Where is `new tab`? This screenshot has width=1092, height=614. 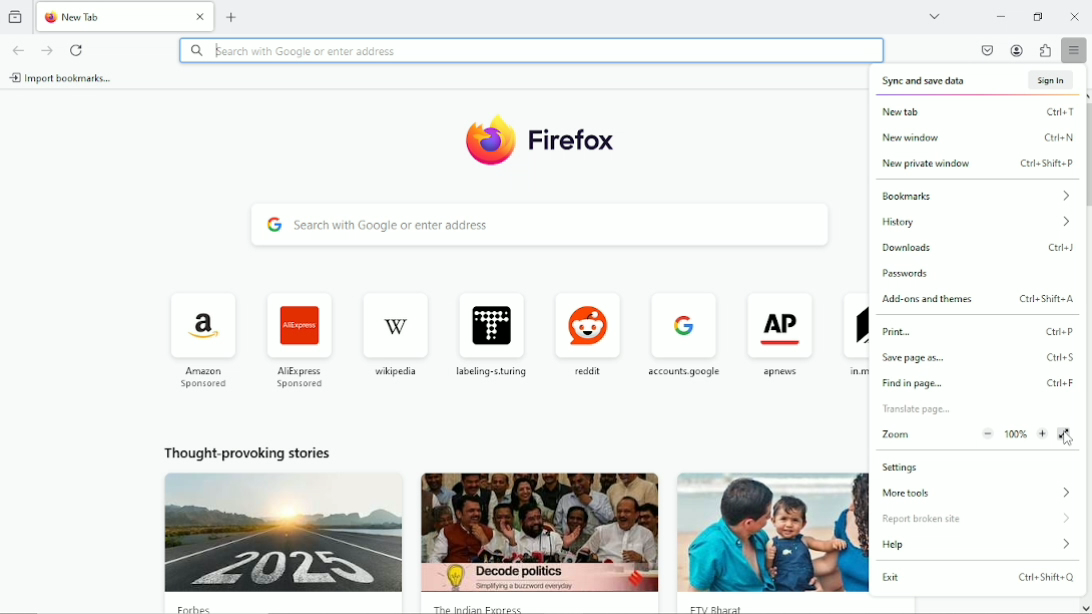 new tab is located at coordinates (979, 114).